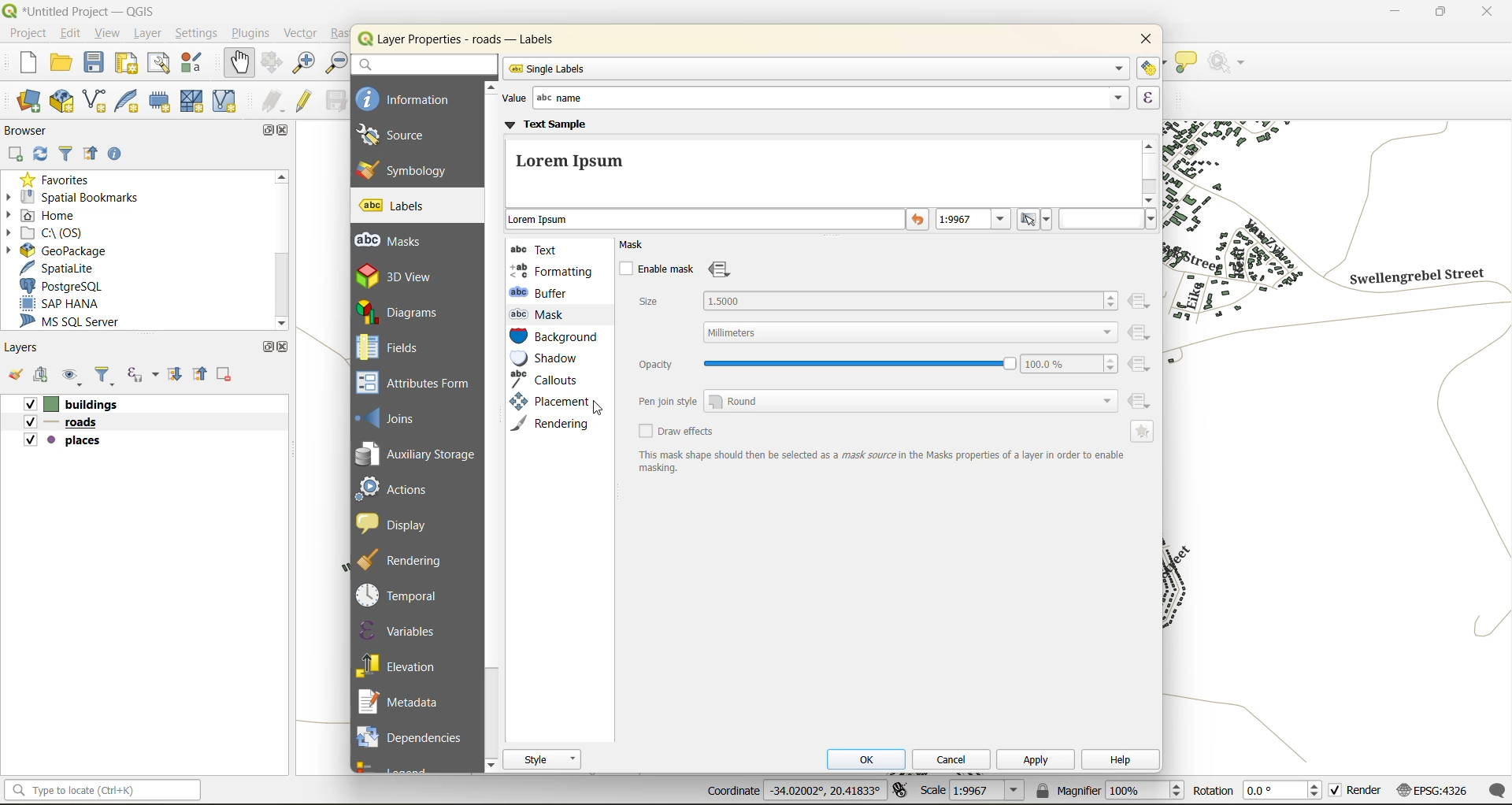  I want to click on coordinates, so click(794, 791).